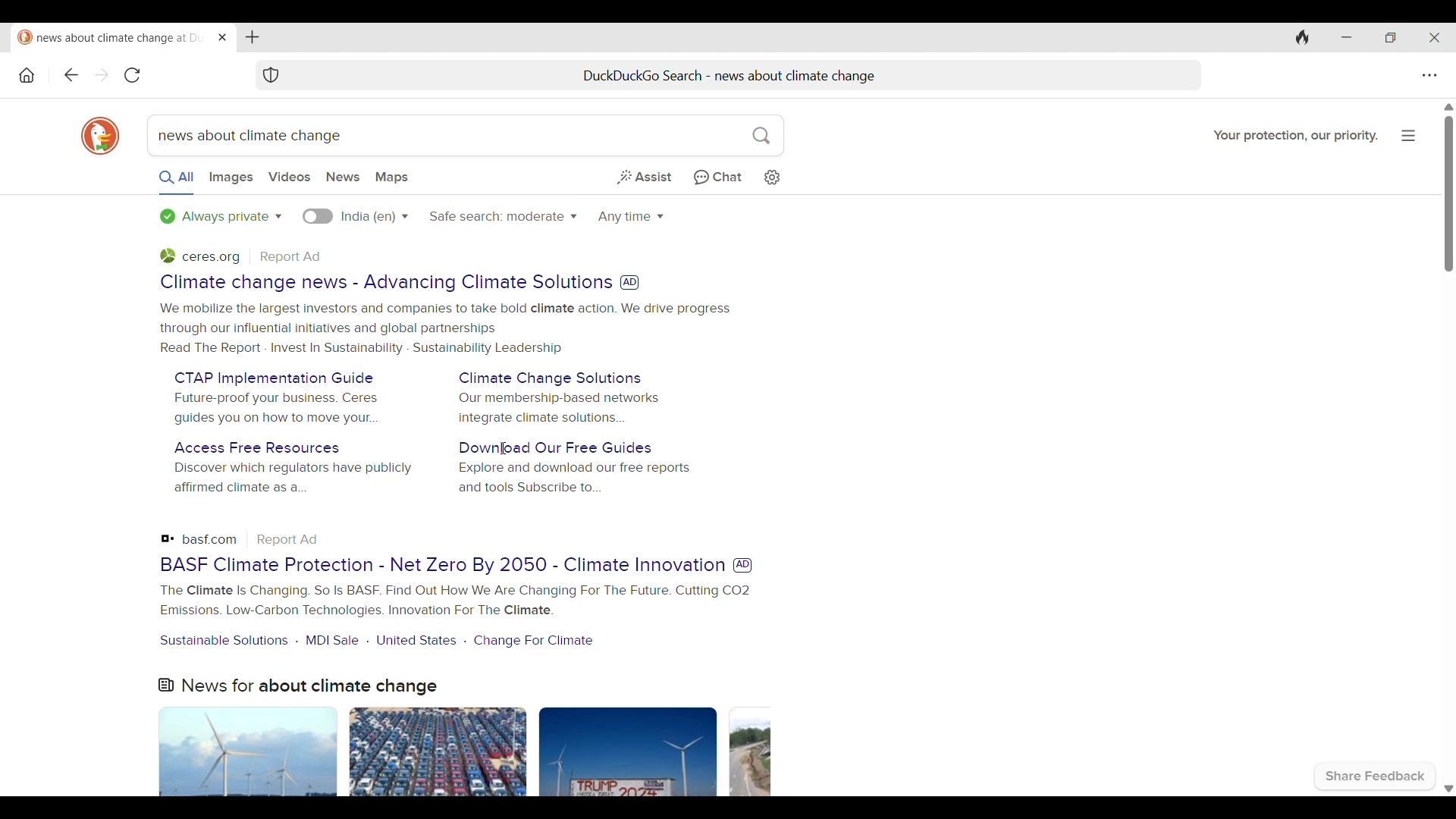 The width and height of the screenshot is (1456, 819). What do you see at coordinates (465, 135) in the screenshot?
I see `Current search query` at bounding box center [465, 135].